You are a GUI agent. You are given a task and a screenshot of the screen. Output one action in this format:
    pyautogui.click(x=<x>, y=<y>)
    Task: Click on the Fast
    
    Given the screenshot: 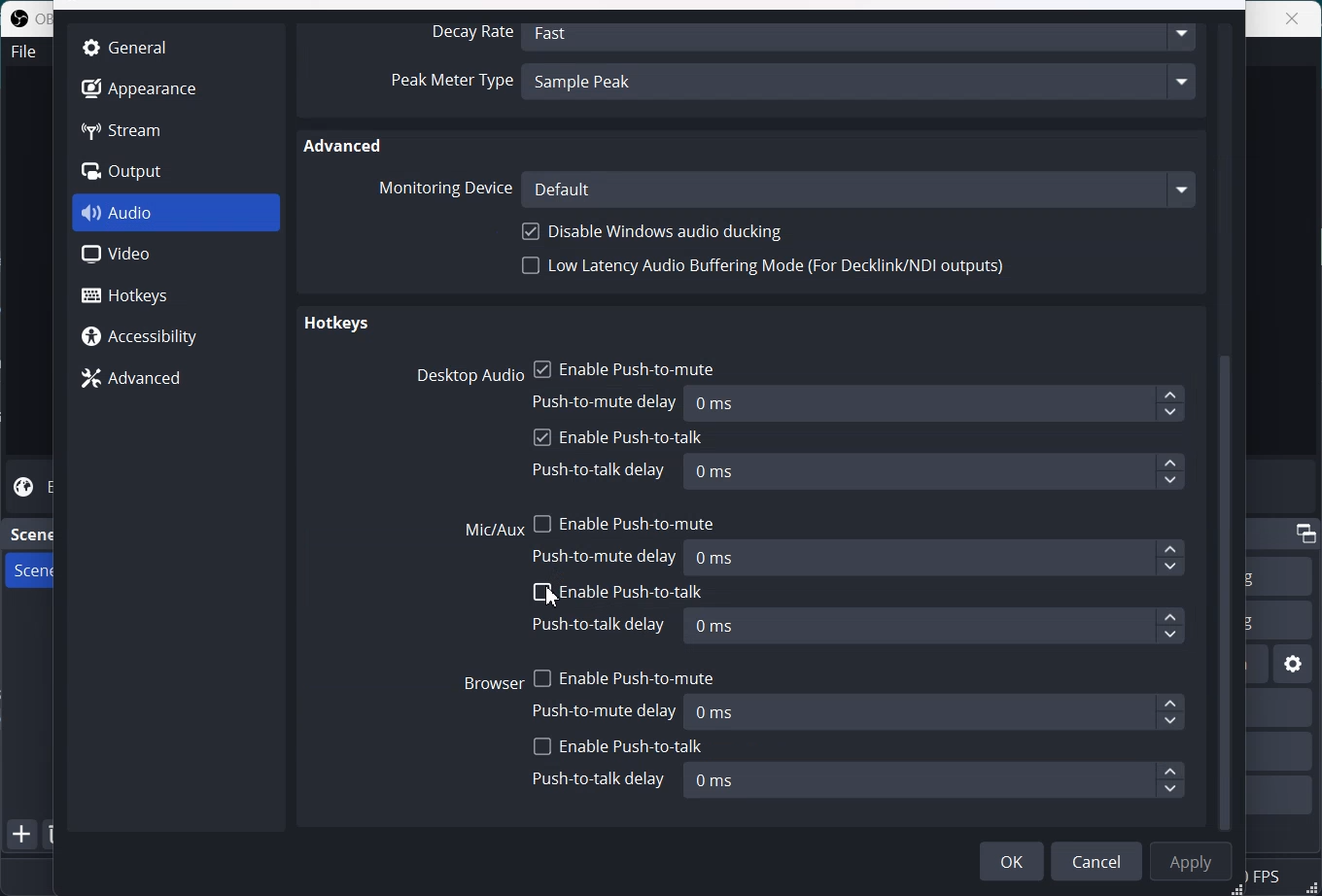 What is the action you would take?
    pyautogui.click(x=862, y=34)
    